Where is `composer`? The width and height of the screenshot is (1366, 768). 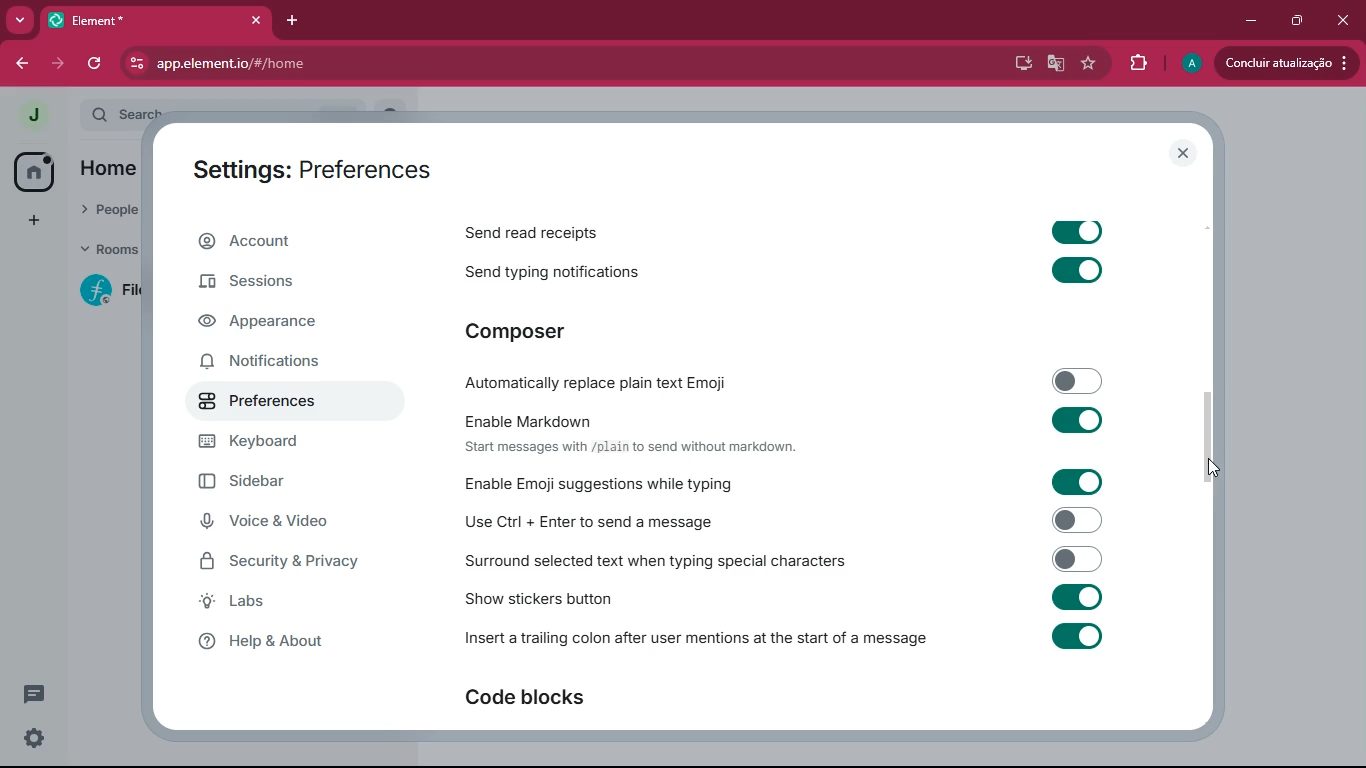
composer is located at coordinates (532, 331).